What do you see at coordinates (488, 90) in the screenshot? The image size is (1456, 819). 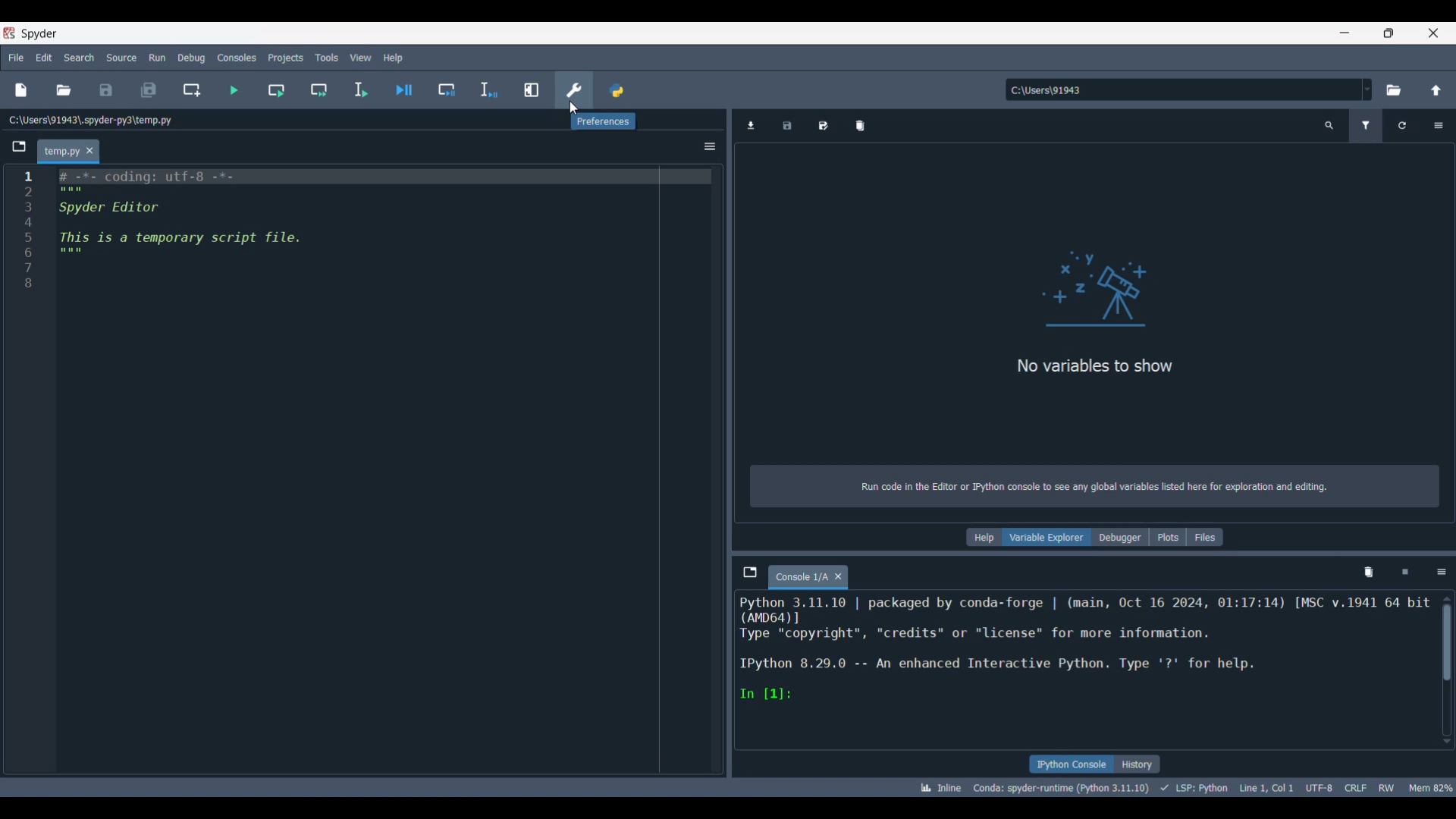 I see `Debug selection/current line` at bounding box center [488, 90].